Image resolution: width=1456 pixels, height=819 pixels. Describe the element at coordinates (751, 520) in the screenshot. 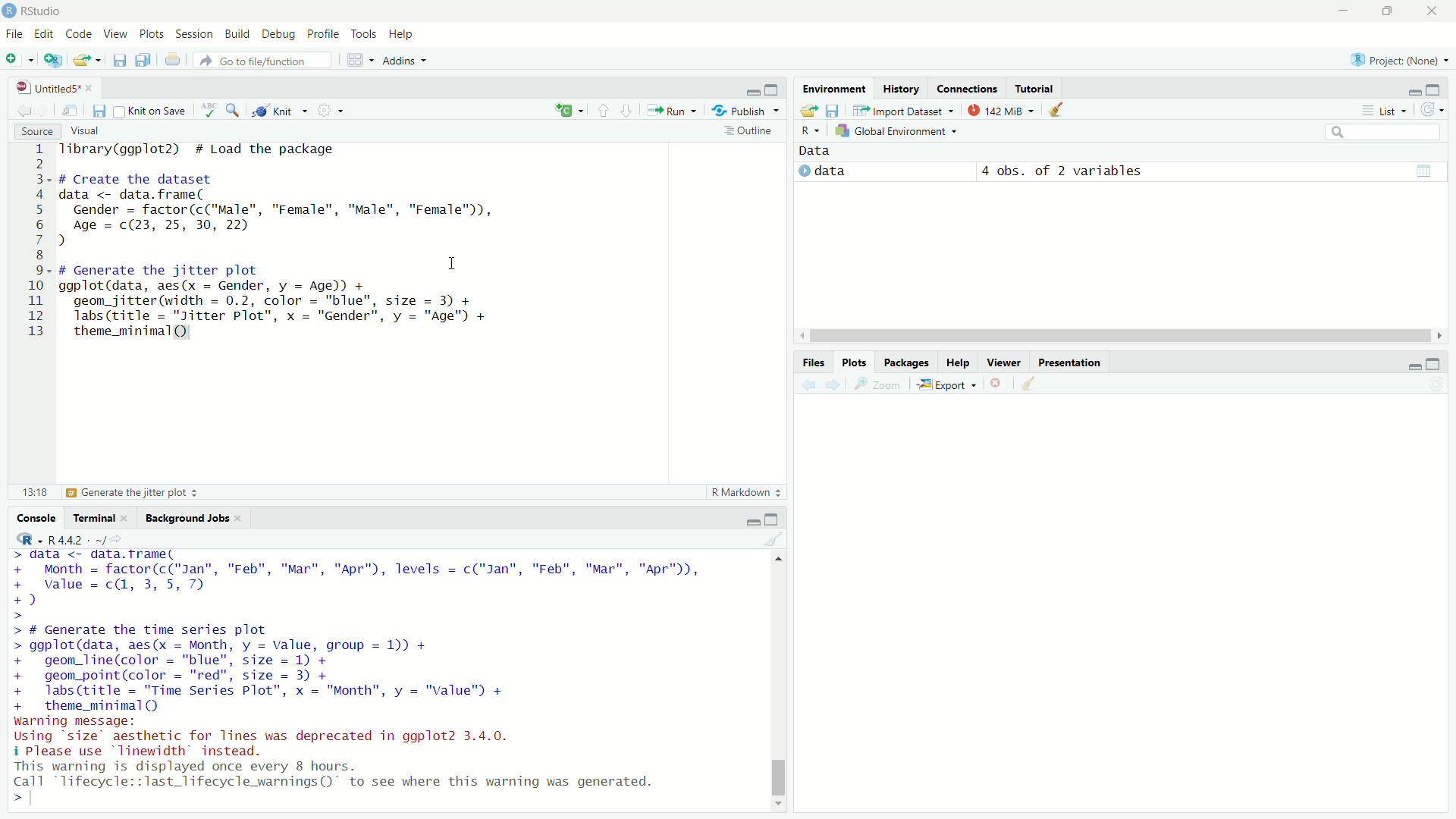

I see `minimize` at that location.